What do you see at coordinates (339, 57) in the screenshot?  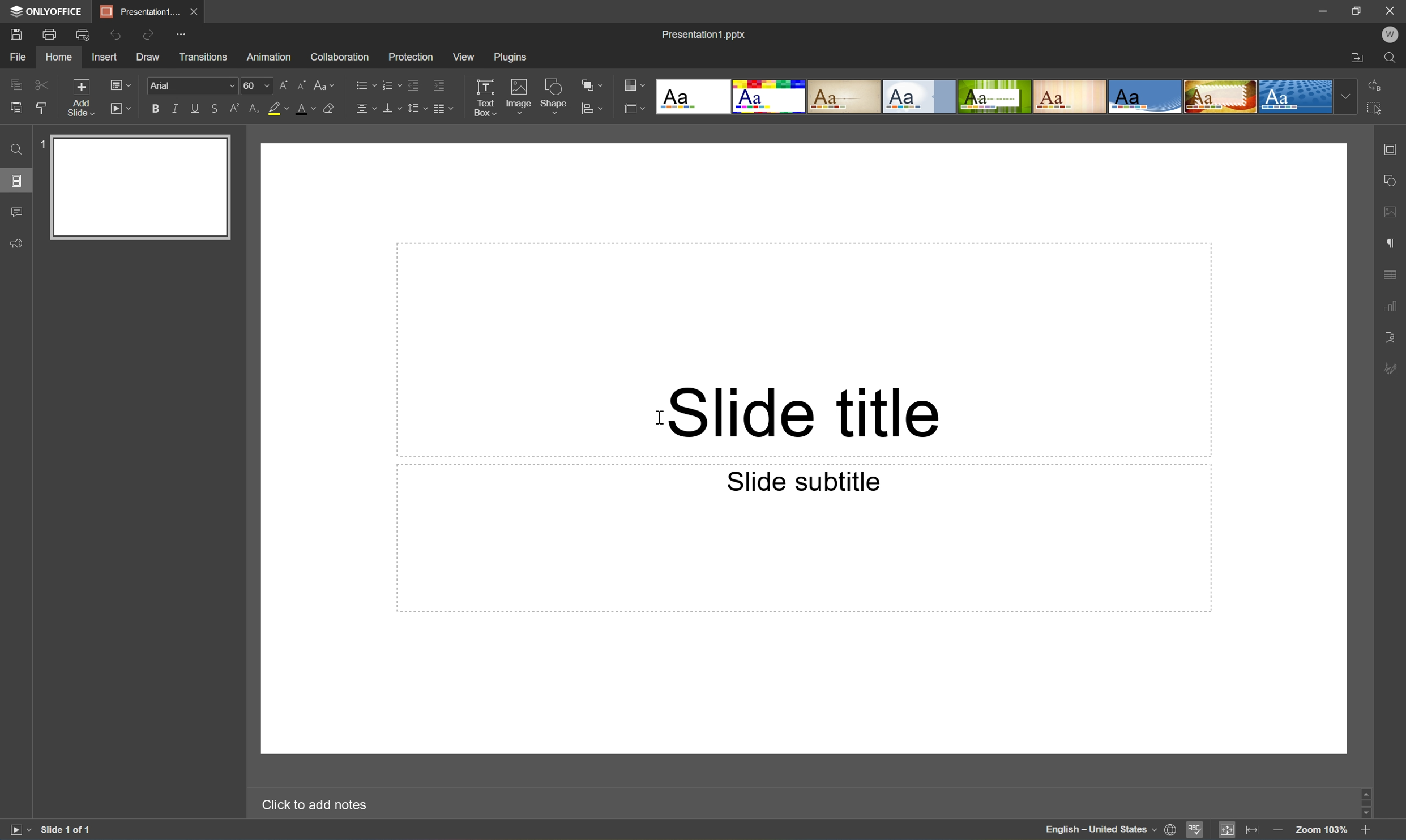 I see `Collaboration` at bounding box center [339, 57].